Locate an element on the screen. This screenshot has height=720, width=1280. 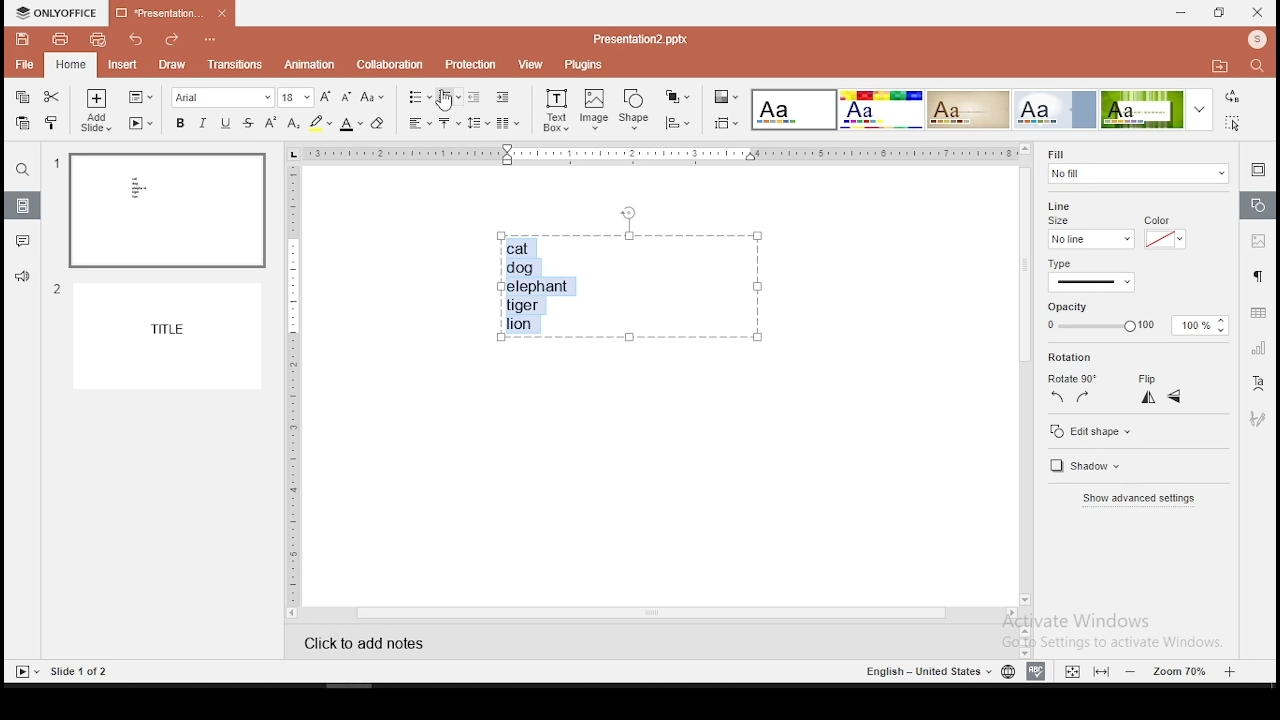
cut is located at coordinates (50, 98).